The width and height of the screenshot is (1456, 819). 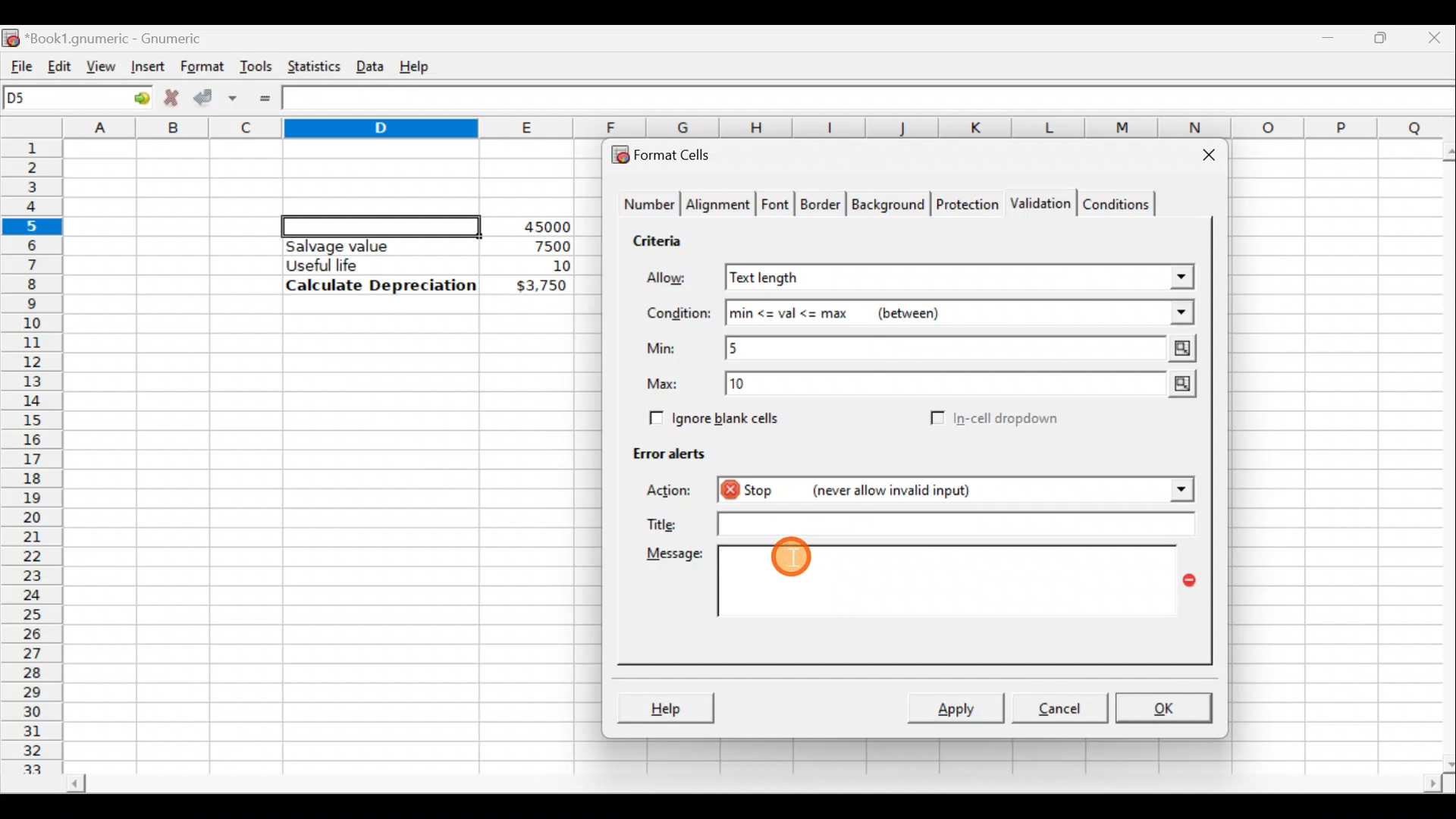 What do you see at coordinates (381, 224) in the screenshot?
I see `Selected cell` at bounding box center [381, 224].